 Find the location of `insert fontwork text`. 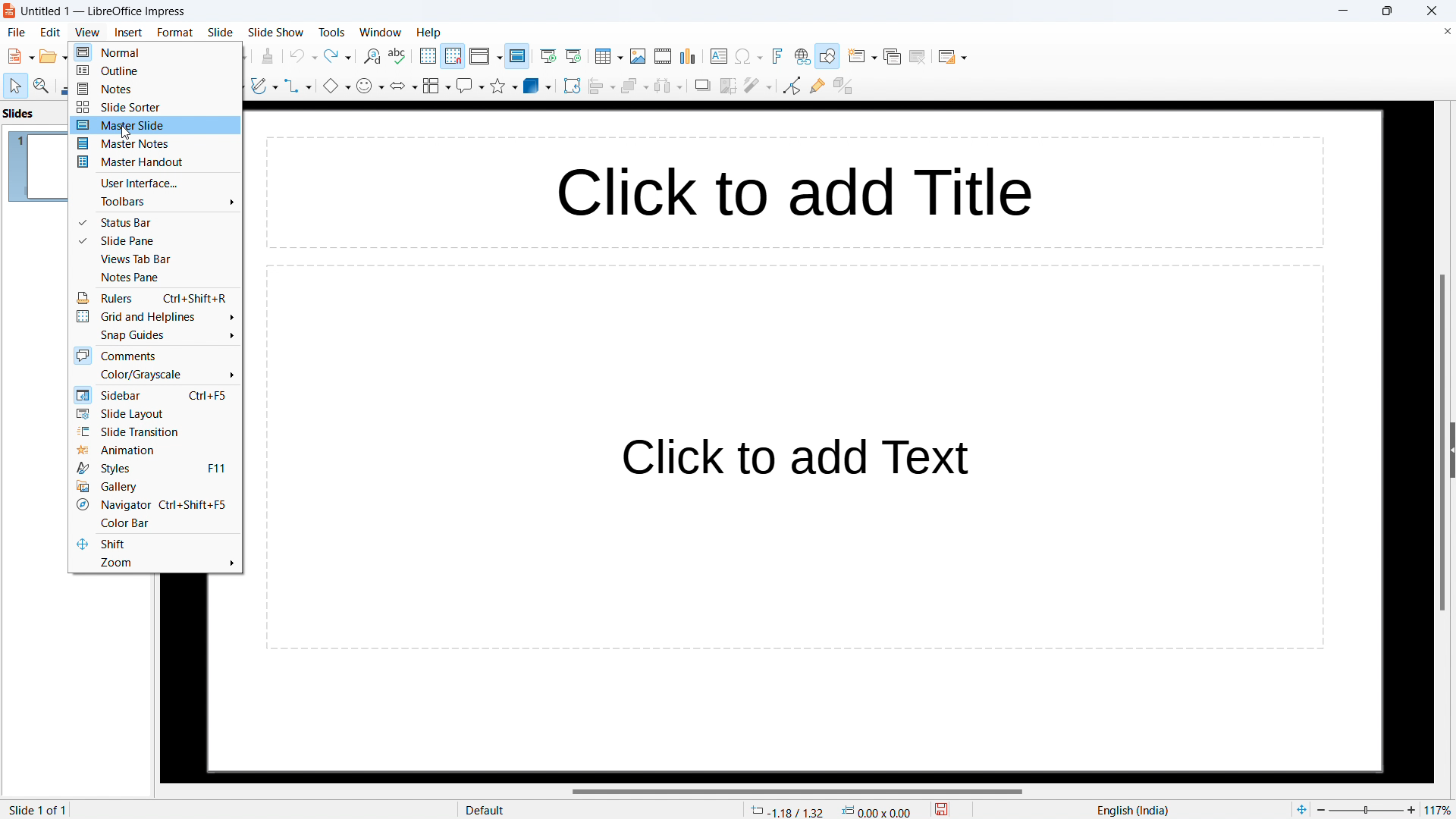

insert fontwork text is located at coordinates (777, 56).